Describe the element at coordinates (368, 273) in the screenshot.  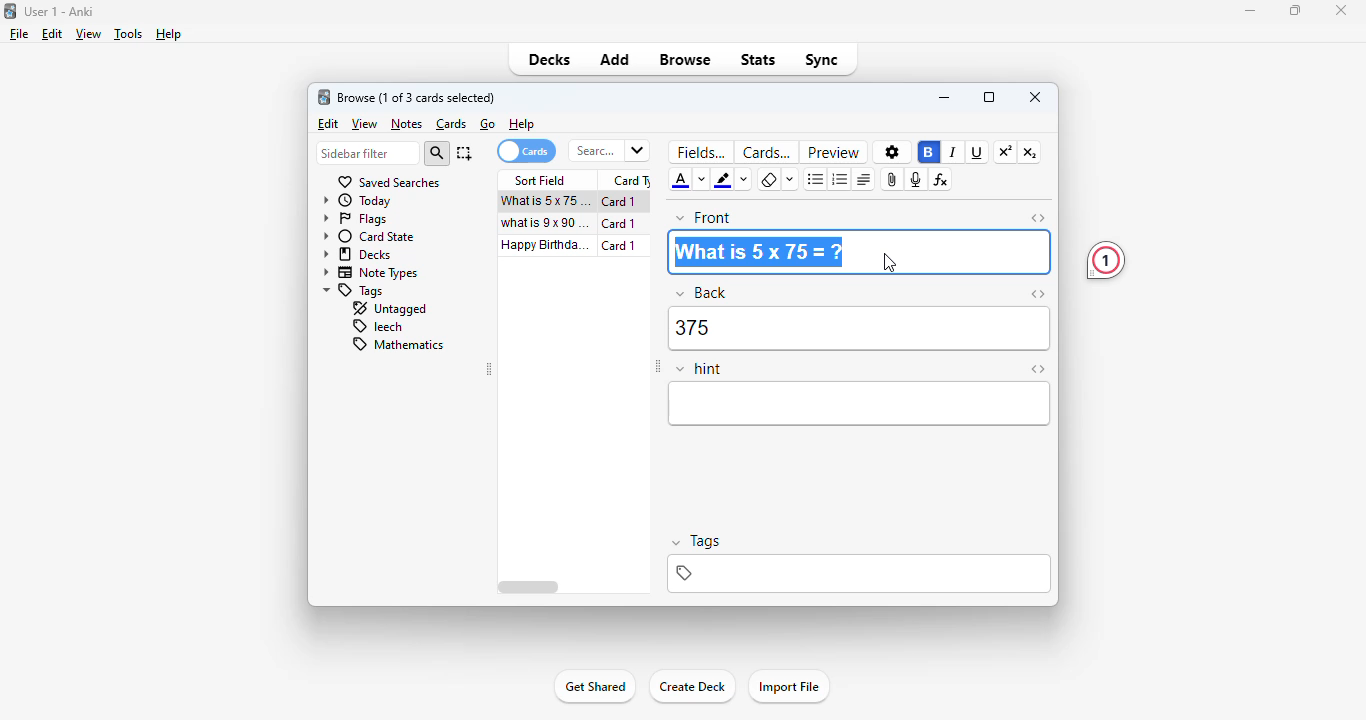
I see `note types` at that location.